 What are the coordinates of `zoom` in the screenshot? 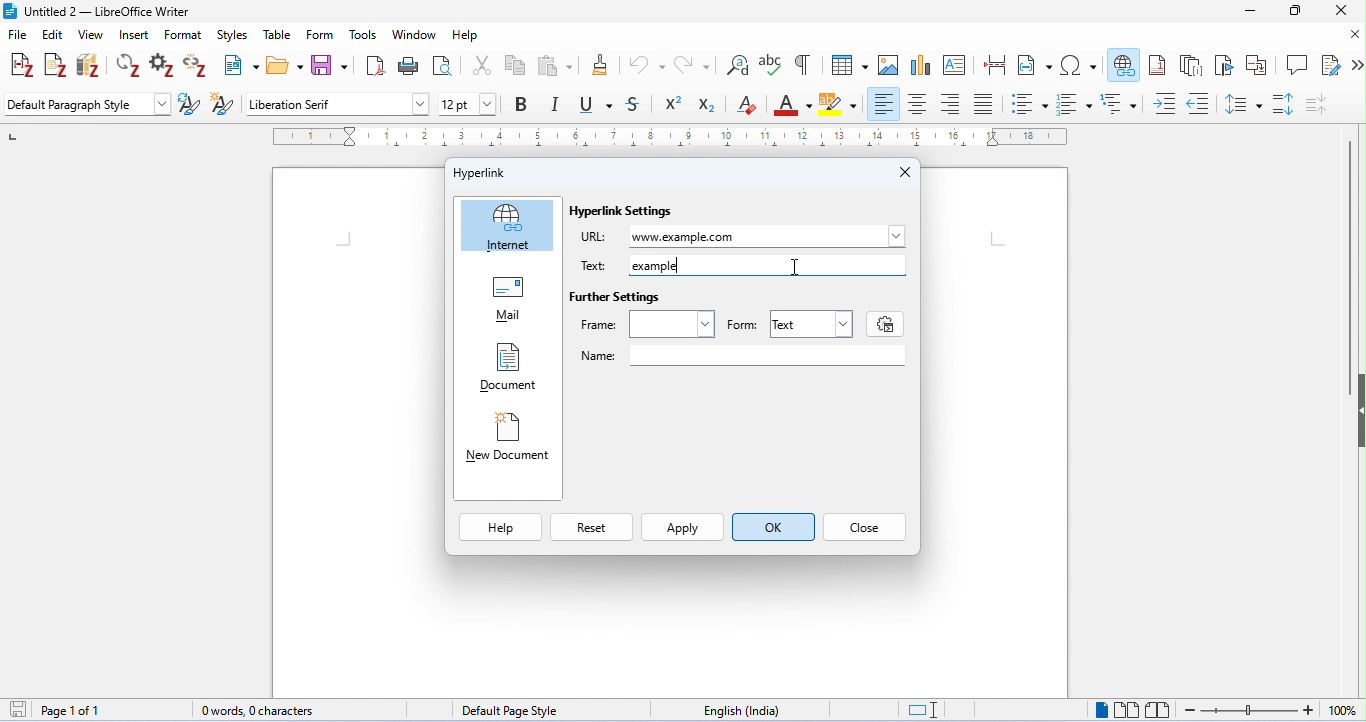 It's located at (1270, 710).